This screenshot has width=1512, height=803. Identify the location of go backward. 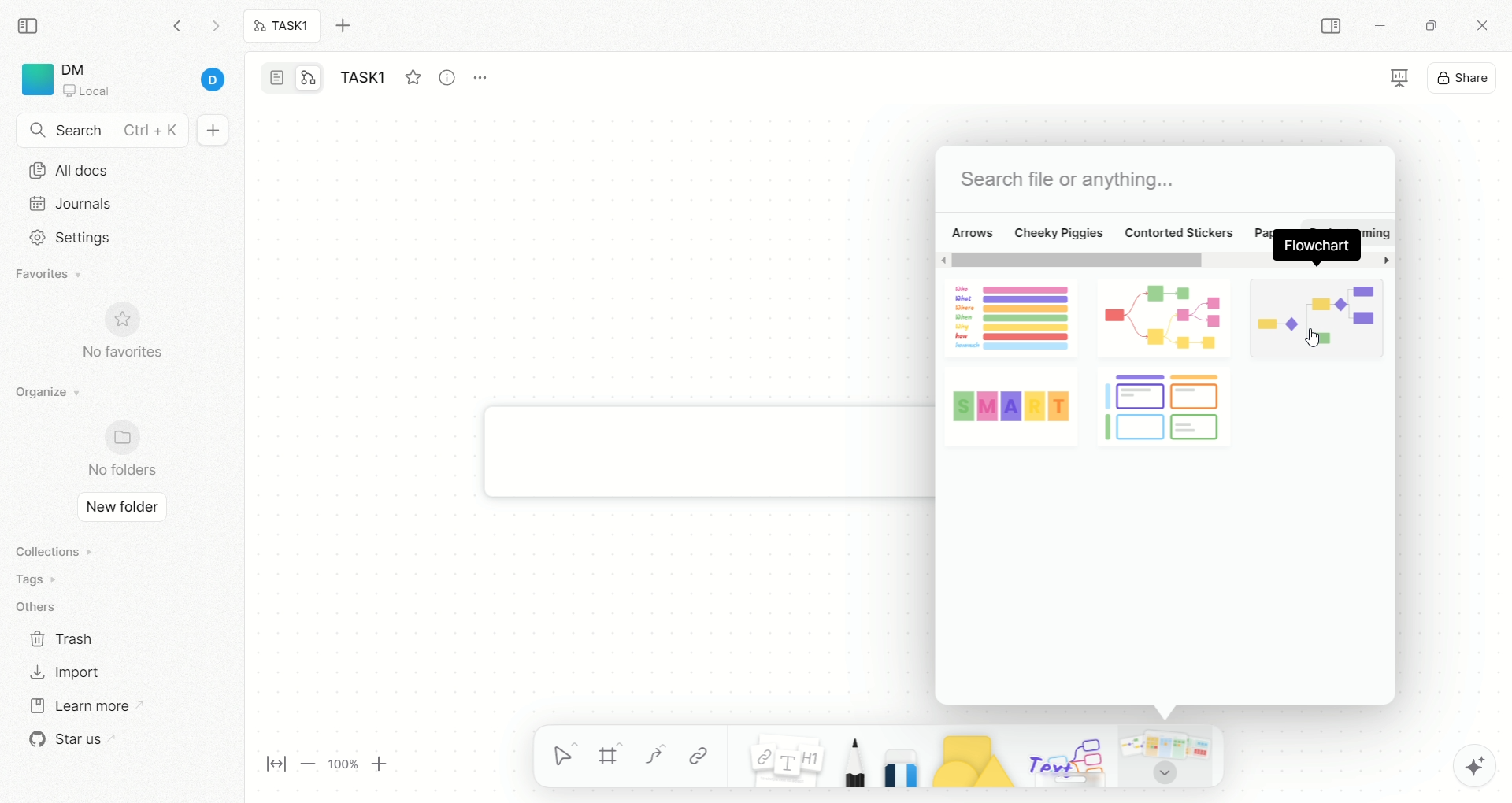
(177, 25).